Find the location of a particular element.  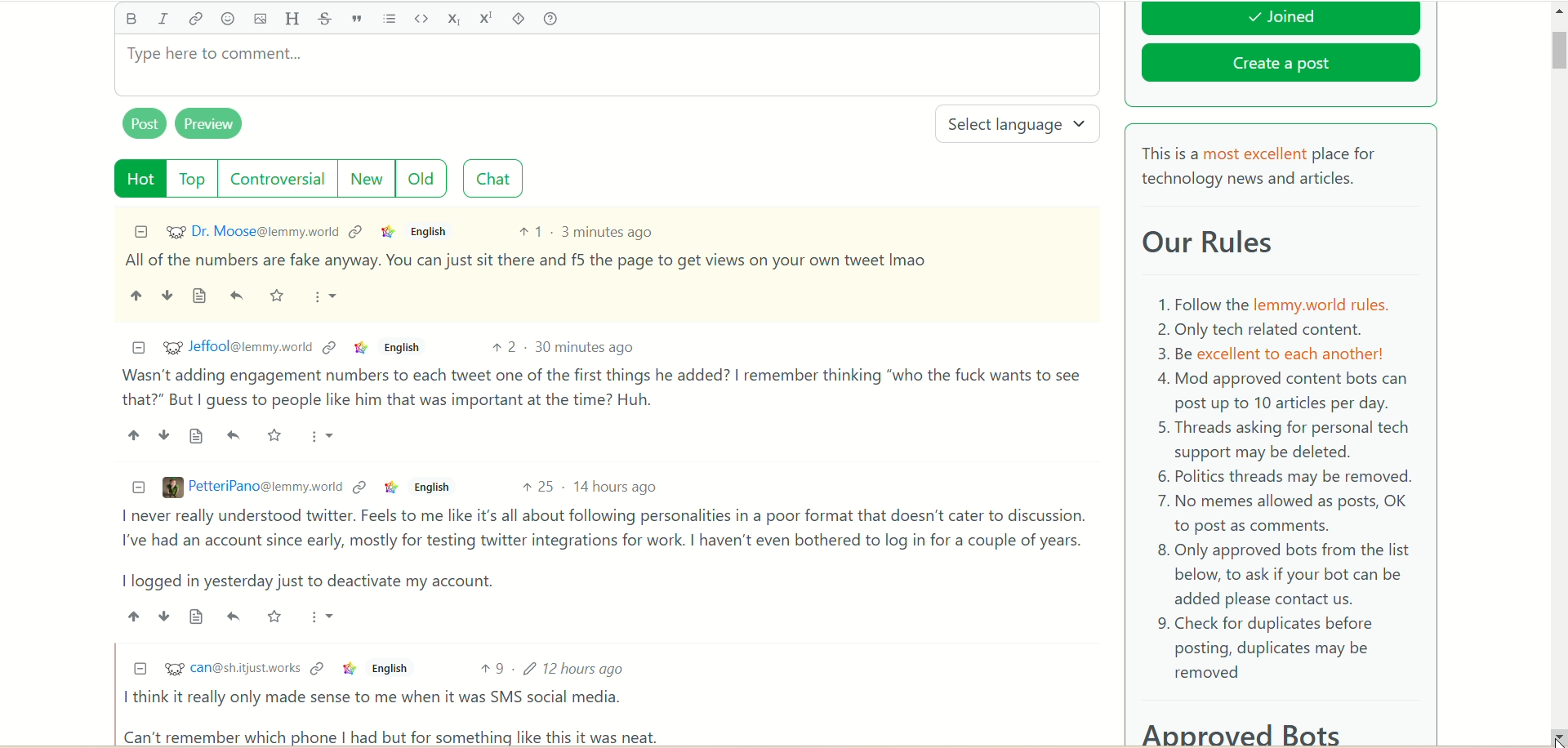

Collapse is located at coordinates (140, 667).